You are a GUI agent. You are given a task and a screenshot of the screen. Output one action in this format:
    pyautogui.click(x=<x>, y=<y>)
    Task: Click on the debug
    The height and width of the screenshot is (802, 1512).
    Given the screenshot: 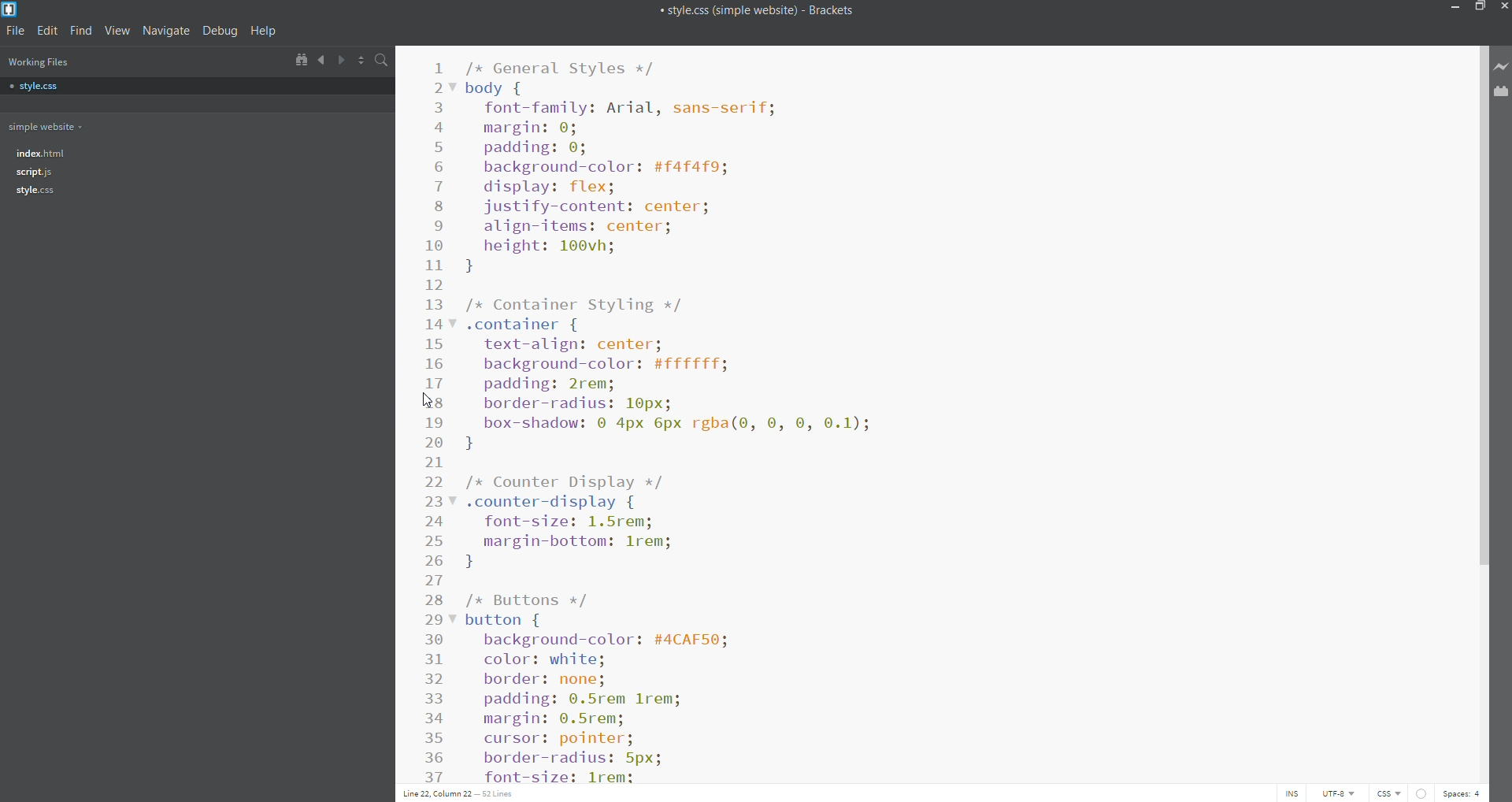 What is the action you would take?
    pyautogui.click(x=220, y=31)
    